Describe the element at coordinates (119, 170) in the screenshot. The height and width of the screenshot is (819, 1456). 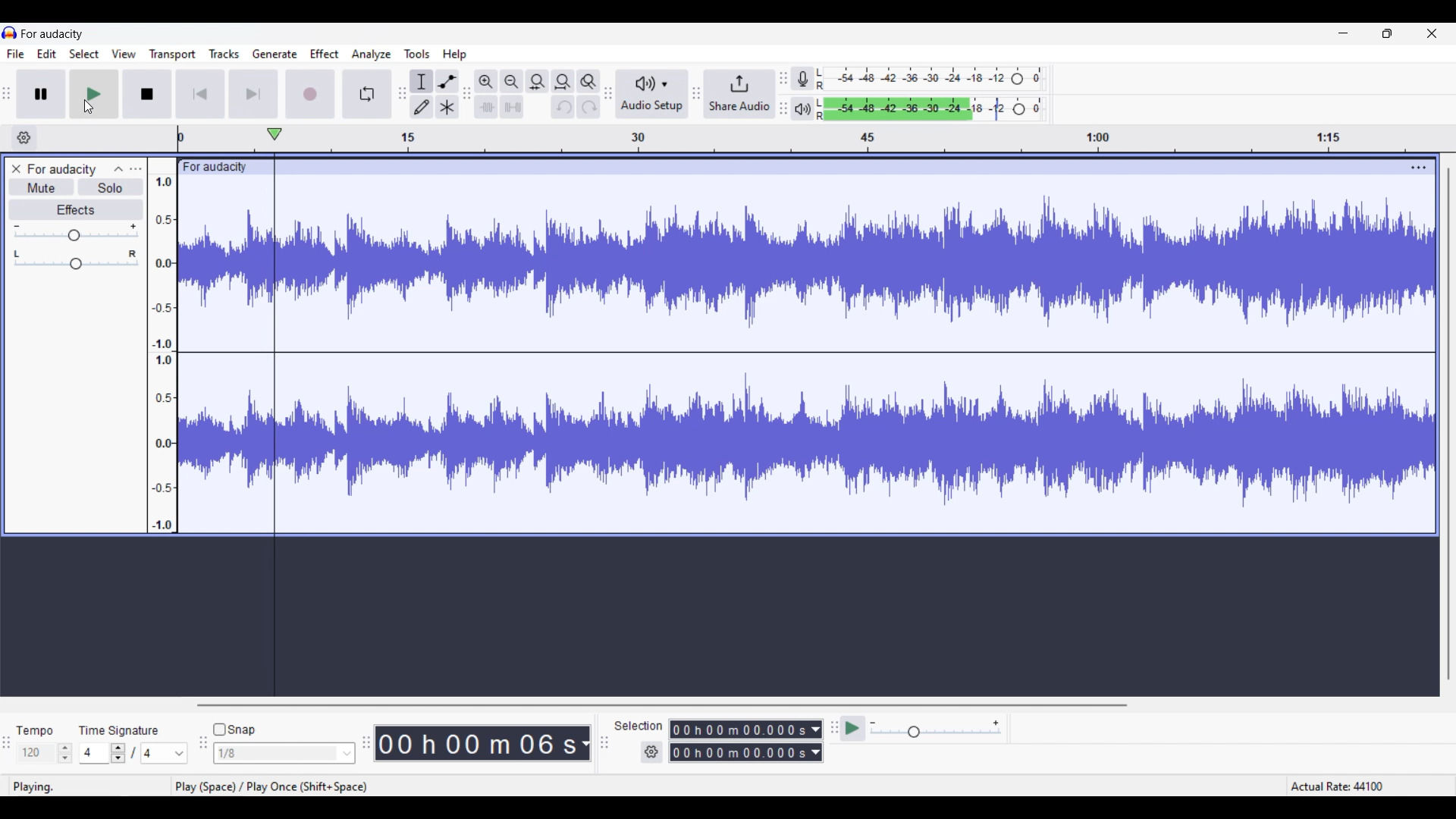
I see `Collapse` at that location.